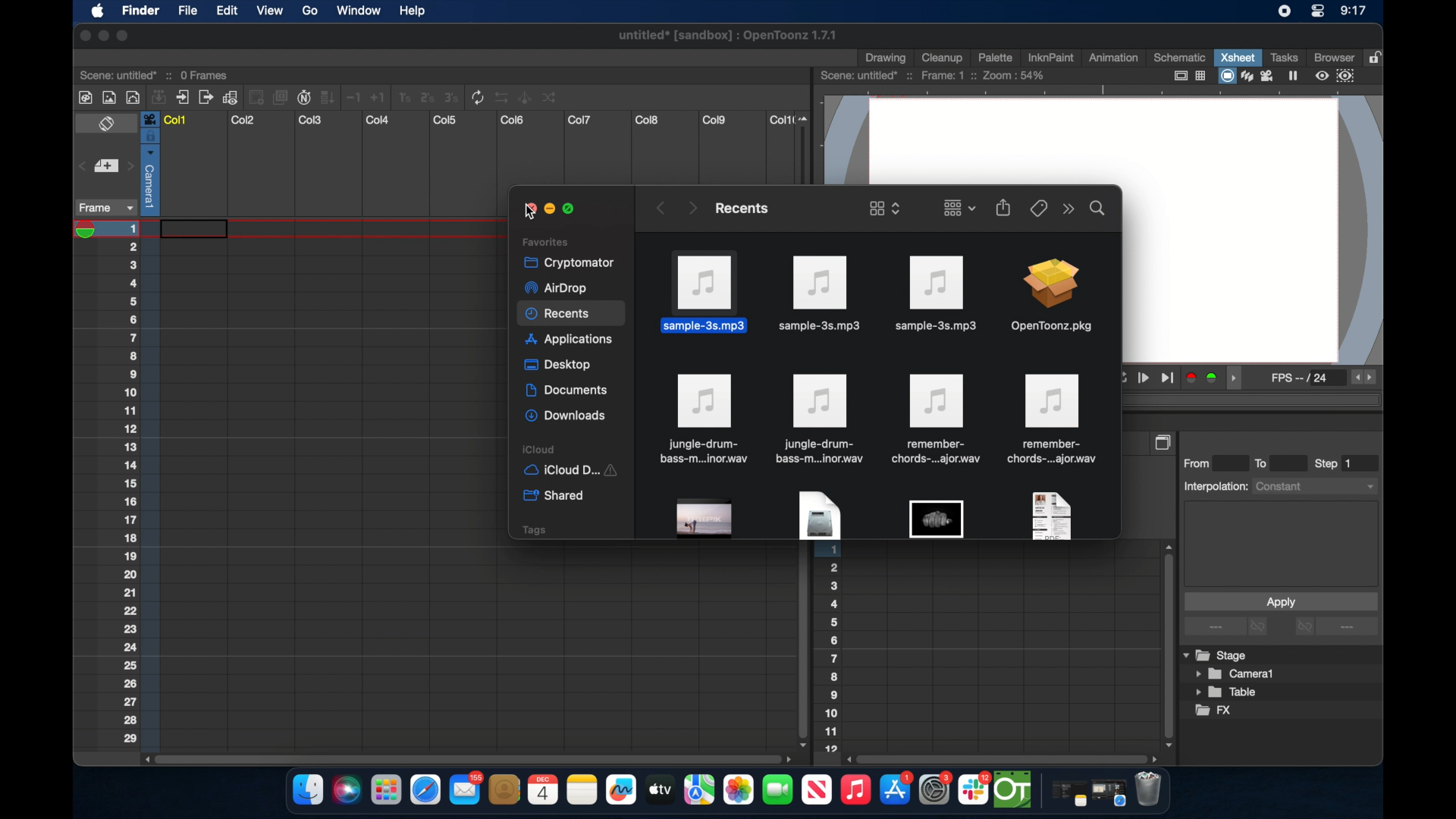 This screenshot has height=819, width=1456. What do you see at coordinates (820, 419) in the screenshot?
I see `icon` at bounding box center [820, 419].